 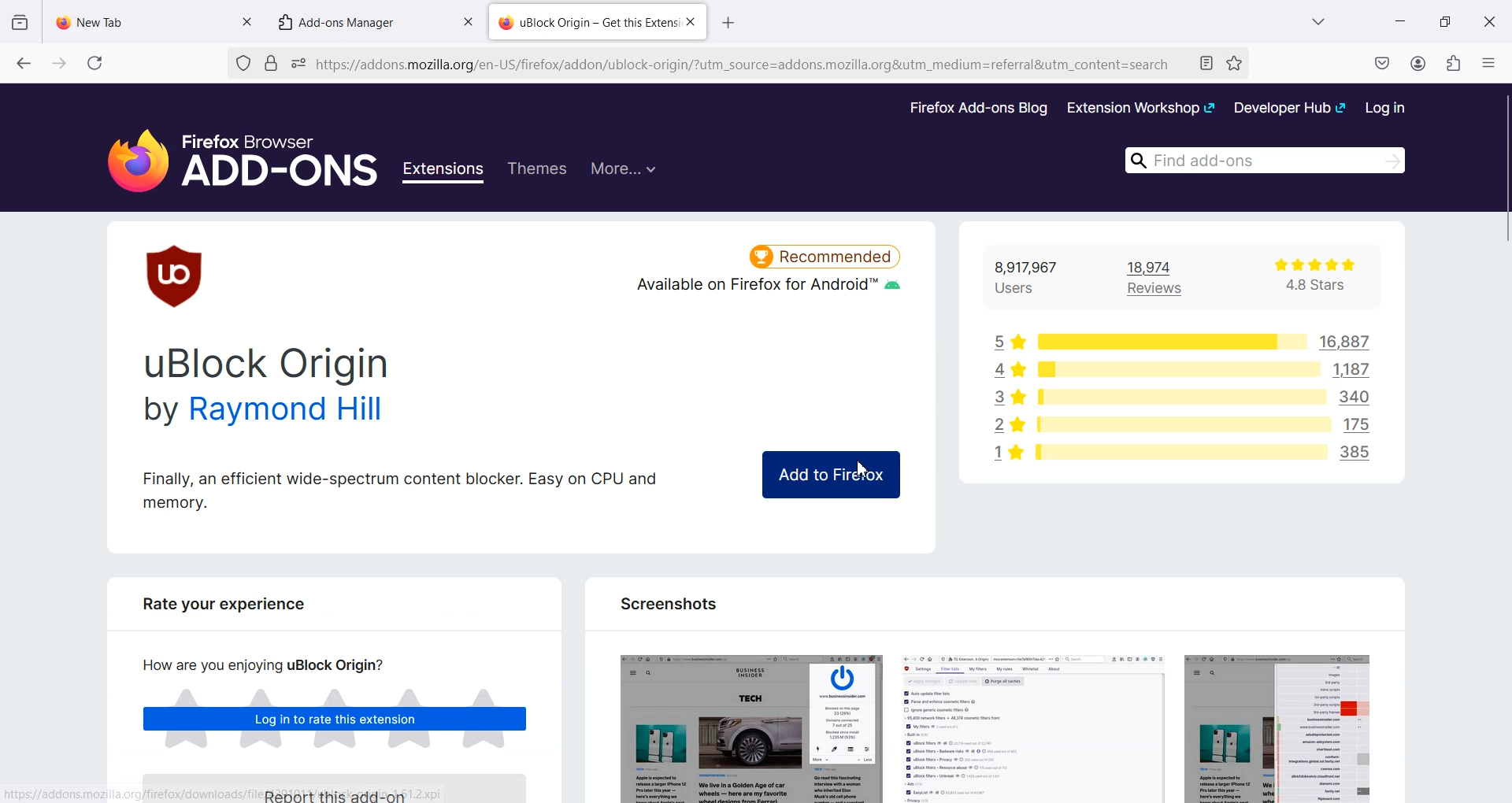 I want to click on 3 star rating, so click(x=1003, y=398).